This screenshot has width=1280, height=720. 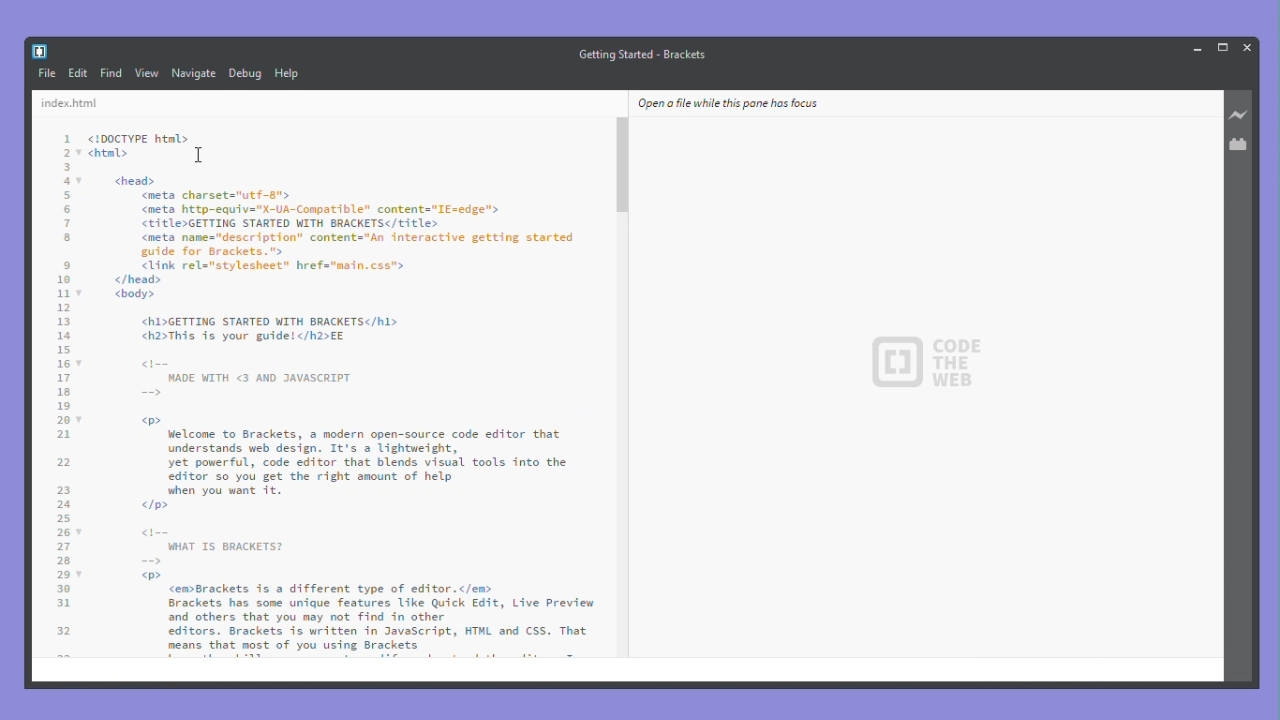 What do you see at coordinates (77, 102) in the screenshot?
I see `index.html` at bounding box center [77, 102].